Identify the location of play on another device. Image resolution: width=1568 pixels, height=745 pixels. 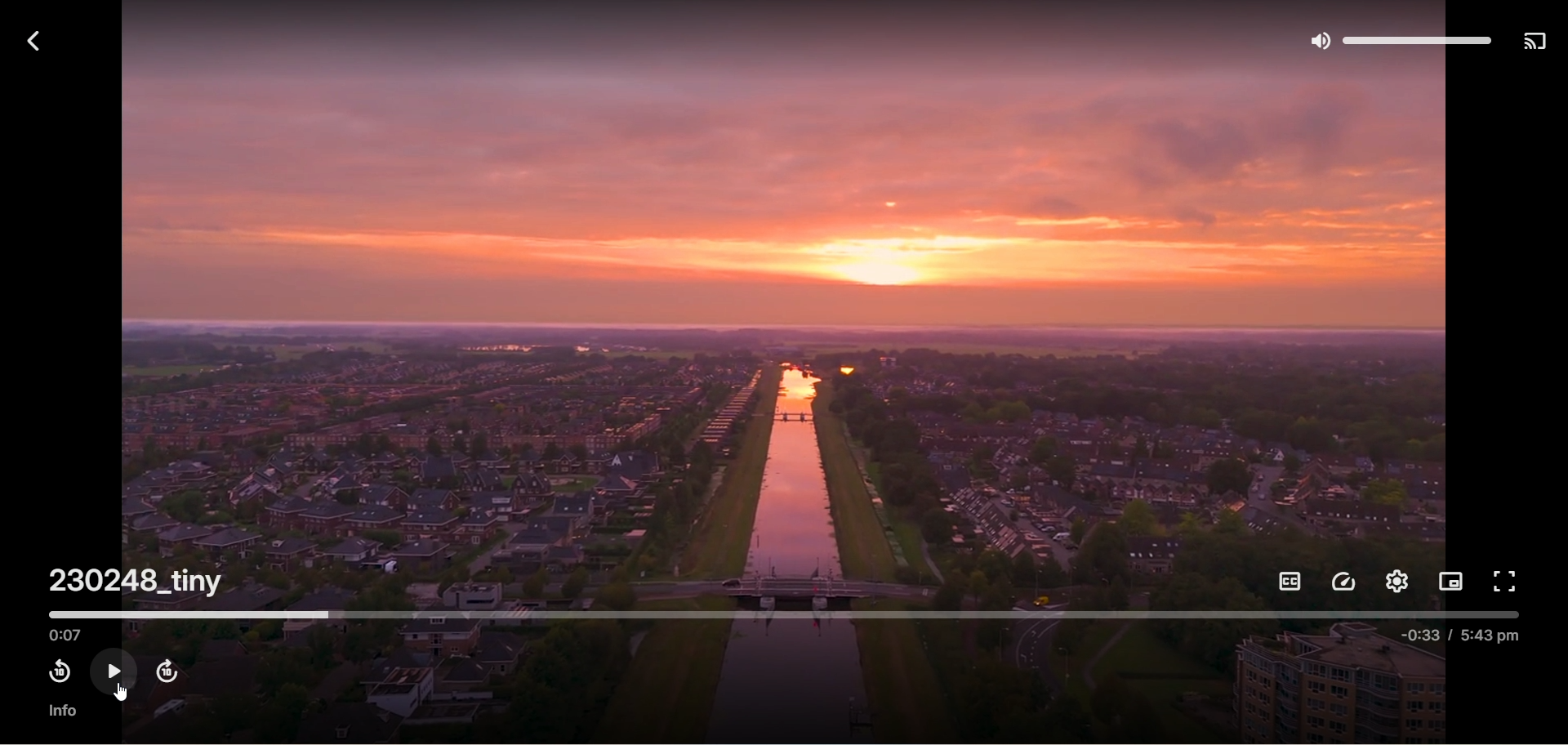
(1535, 39).